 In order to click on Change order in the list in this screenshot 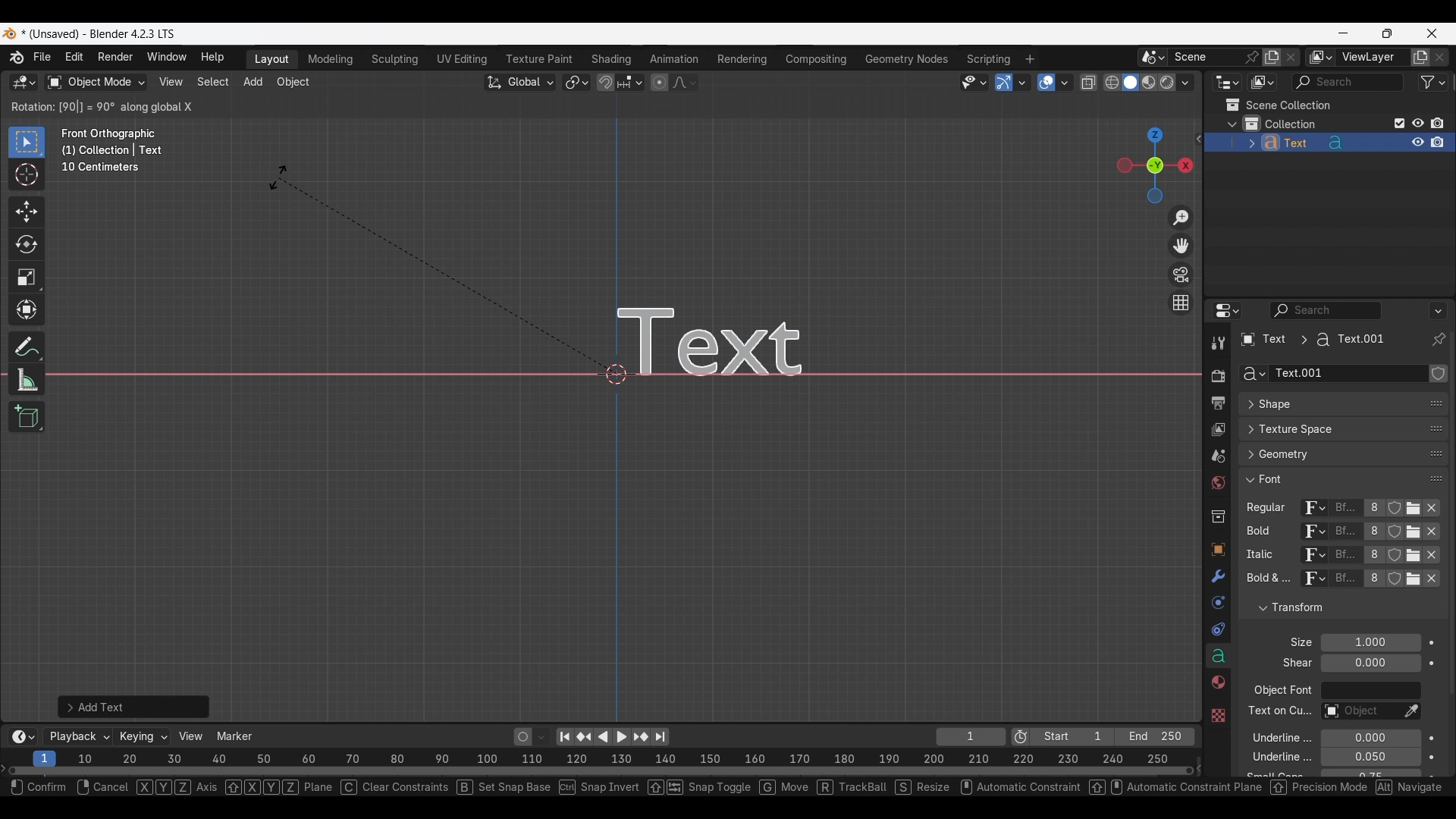, I will do `click(1436, 626)`.